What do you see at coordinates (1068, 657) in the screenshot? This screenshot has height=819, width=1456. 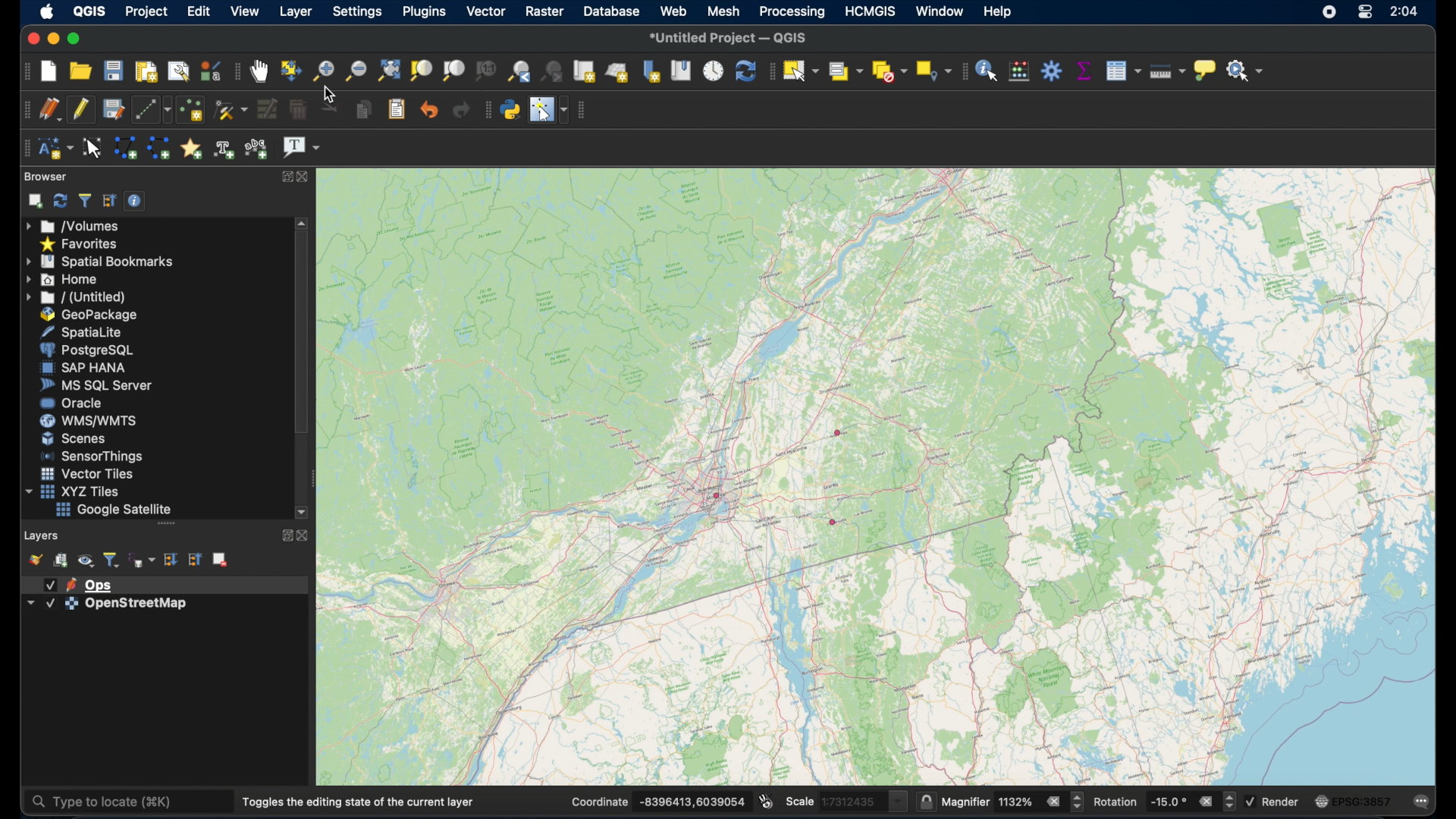 I see `open street map` at bounding box center [1068, 657].